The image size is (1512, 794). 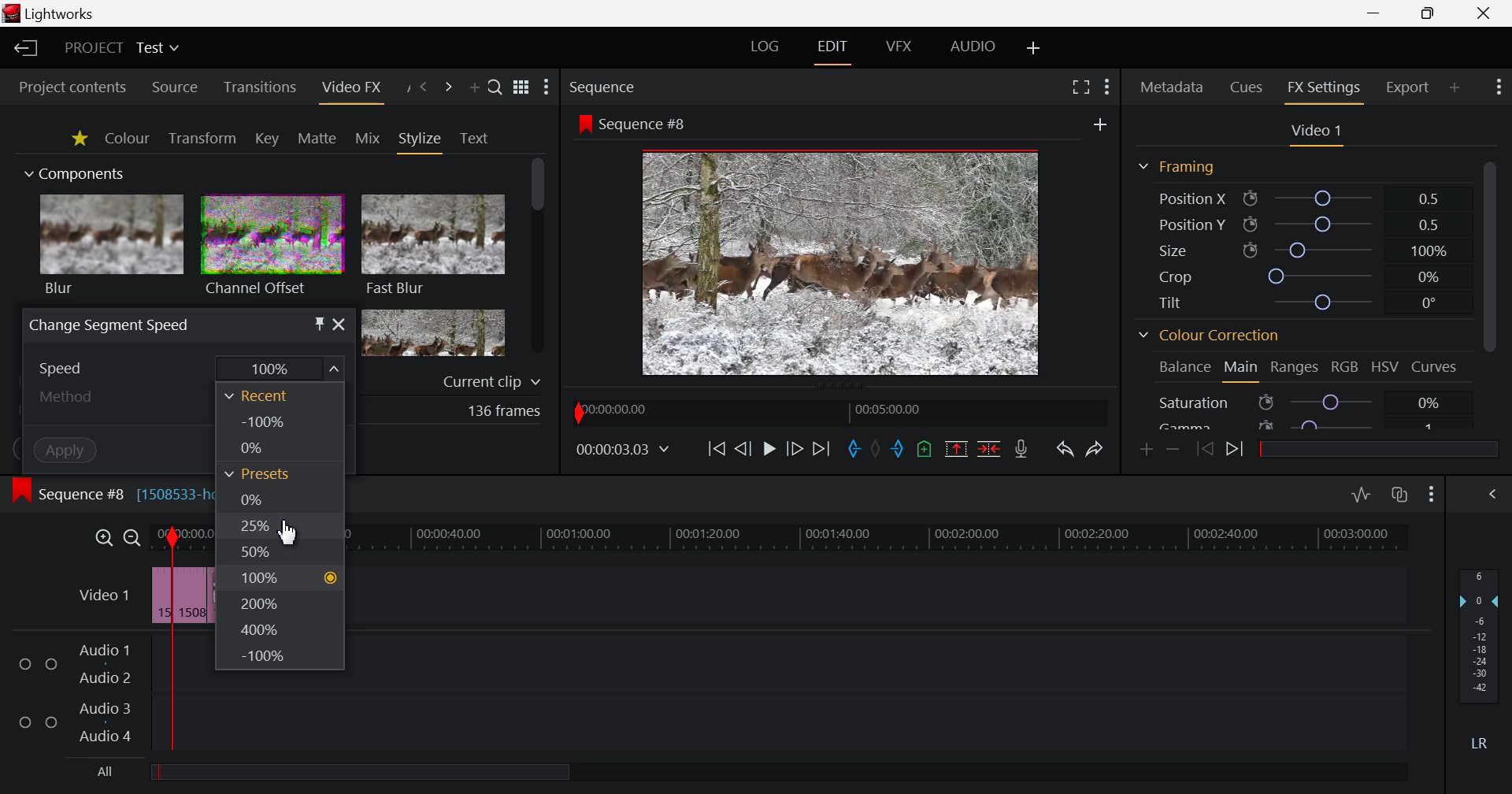 What do you see at coordinates (1487, 13) in the screenshot?
I see `Close` at bounding box center [1487, 13].